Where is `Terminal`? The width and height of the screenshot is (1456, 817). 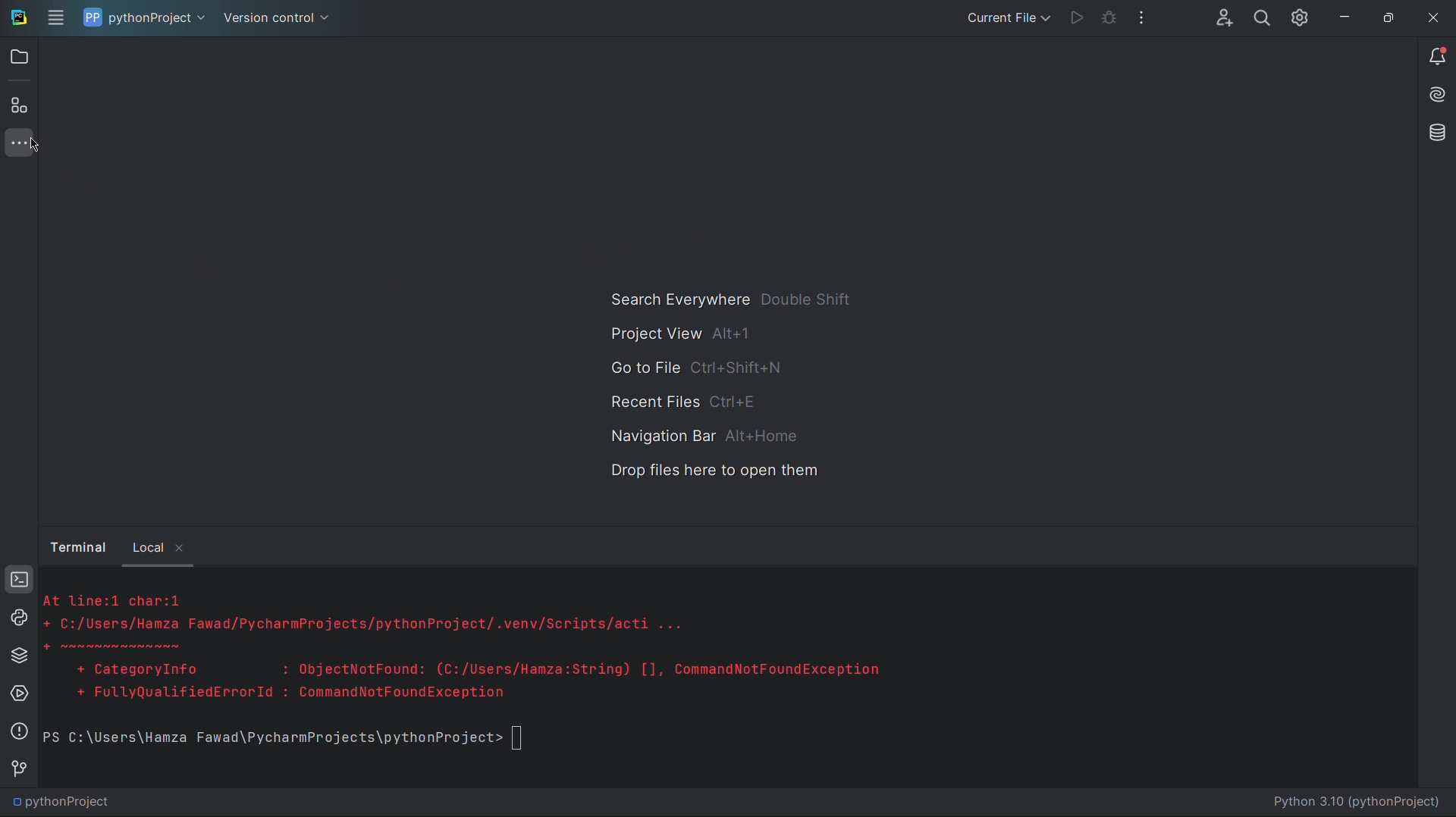 Terminal is located at coordinates (19, 581).